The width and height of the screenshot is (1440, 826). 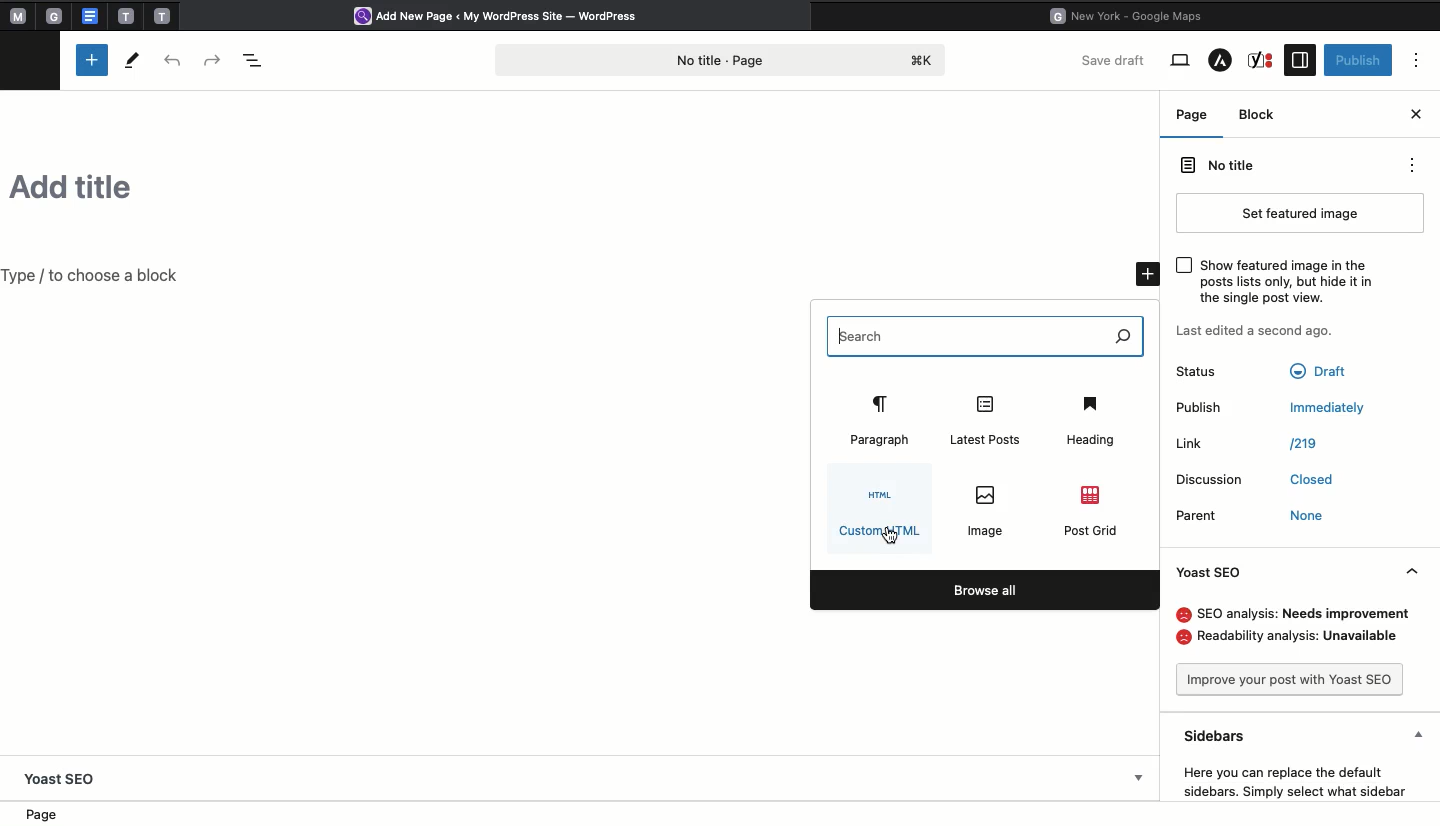 I want to click on Heading, so click(x=1093, y=420).